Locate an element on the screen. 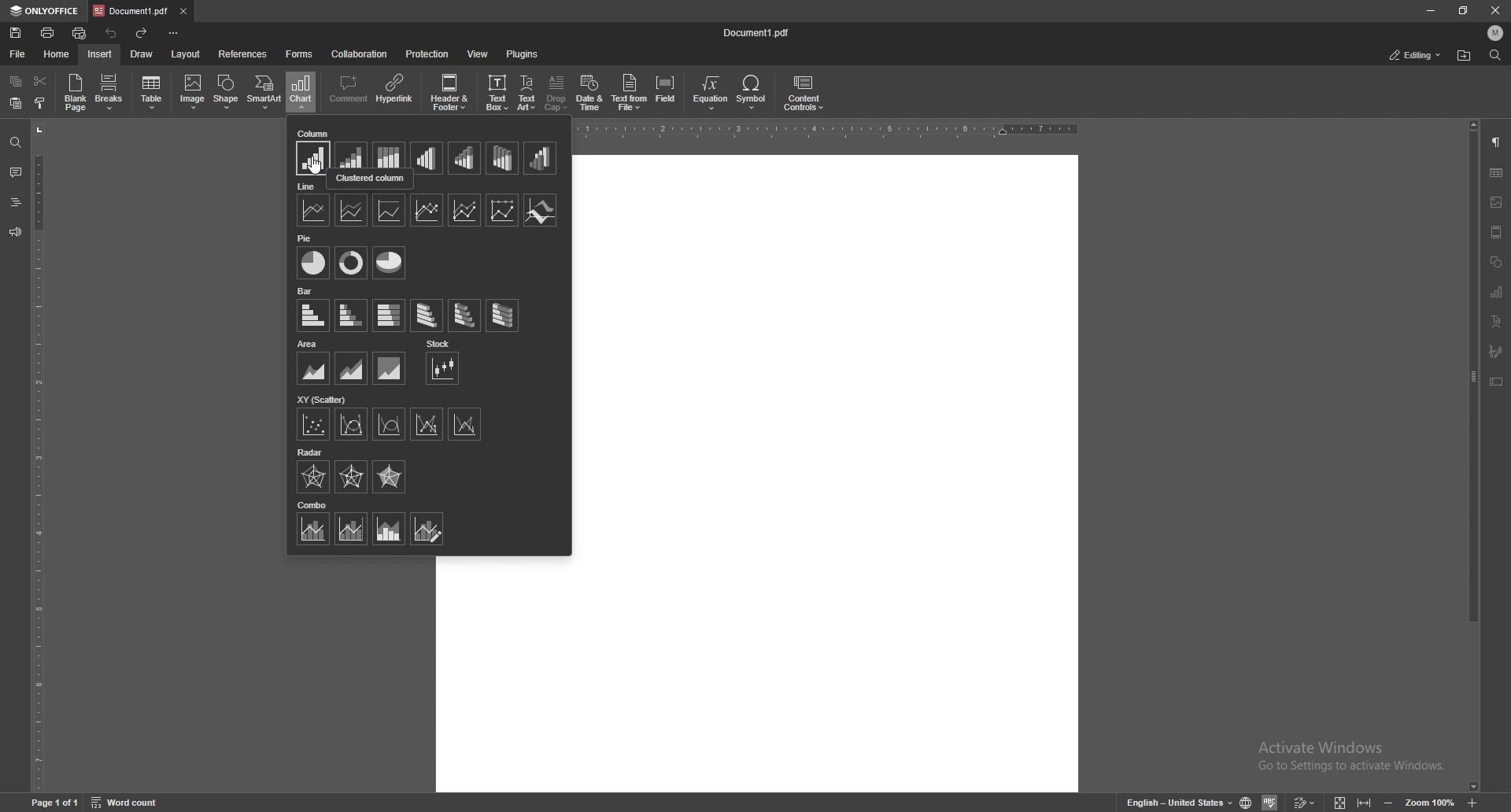 The height and width of the screenshot is (812, 1511). protection is located at coordinates (427, 54).